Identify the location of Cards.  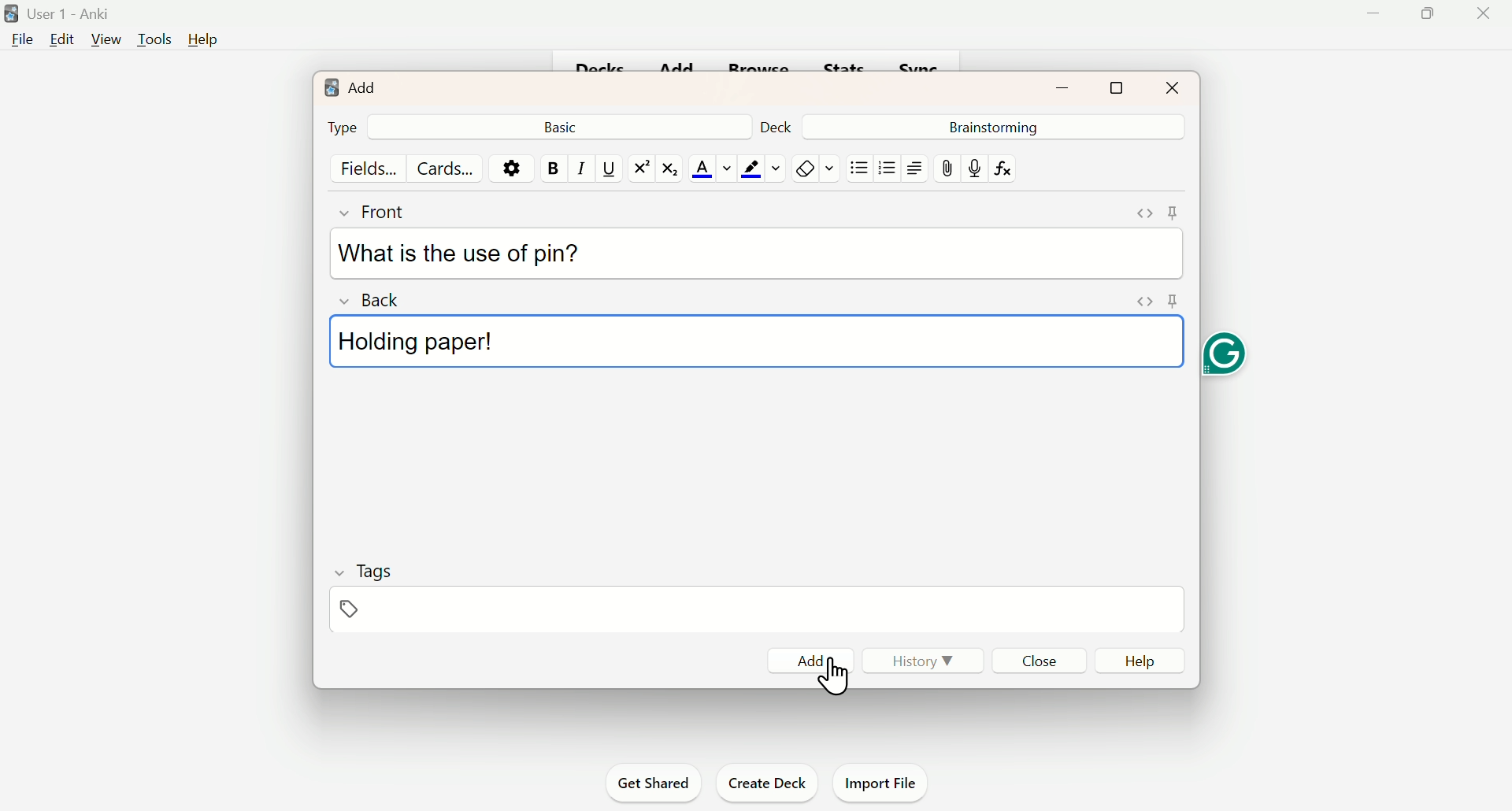
(445, 168).